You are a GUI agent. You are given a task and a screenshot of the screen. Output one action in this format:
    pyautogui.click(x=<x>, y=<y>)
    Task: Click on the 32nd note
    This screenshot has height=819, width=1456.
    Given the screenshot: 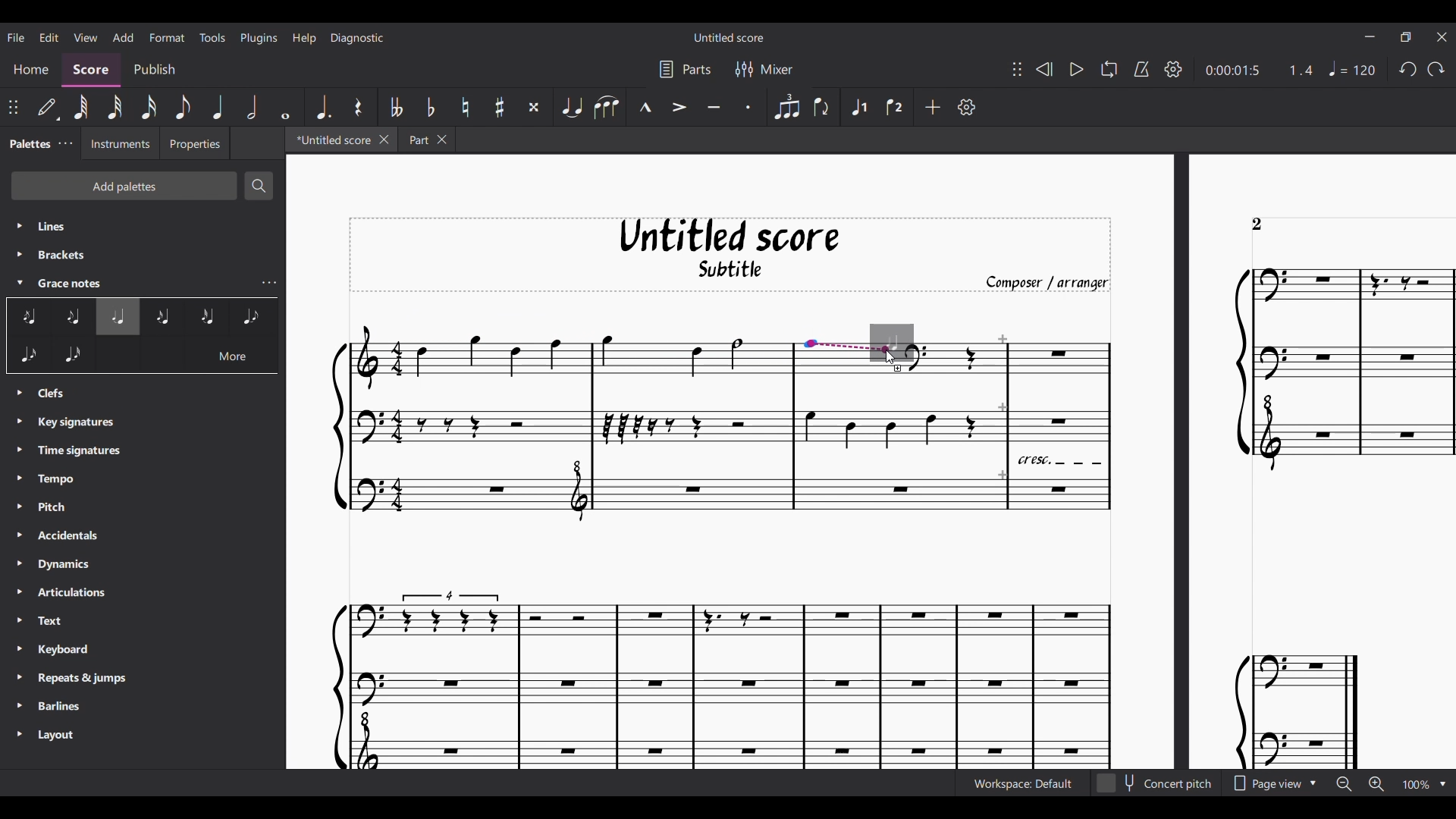 What is the action you would take?
    pyautogui.click(x=114, y=108)
    